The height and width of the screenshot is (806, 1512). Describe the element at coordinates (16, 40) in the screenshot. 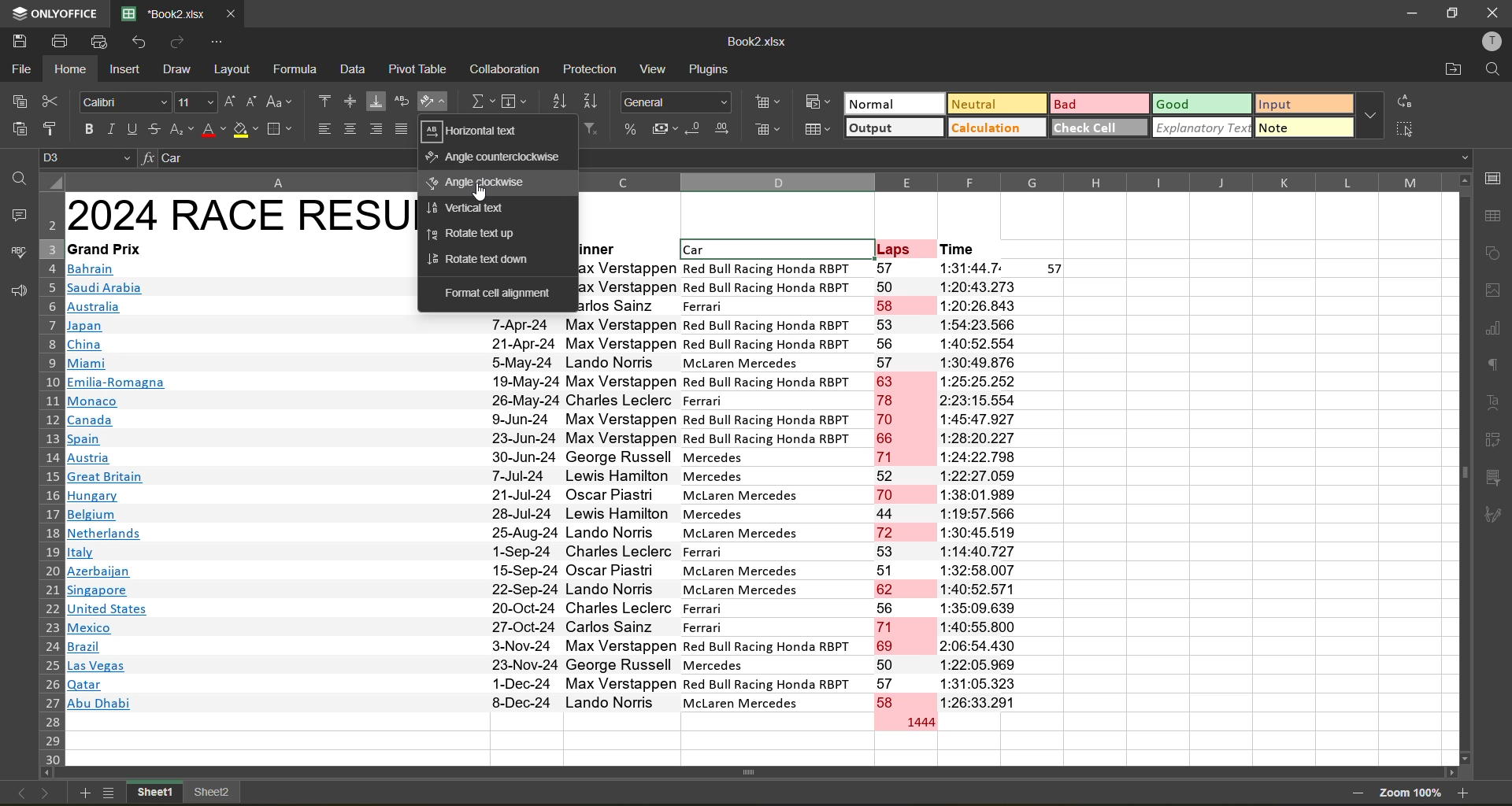

I see `save` at that location.